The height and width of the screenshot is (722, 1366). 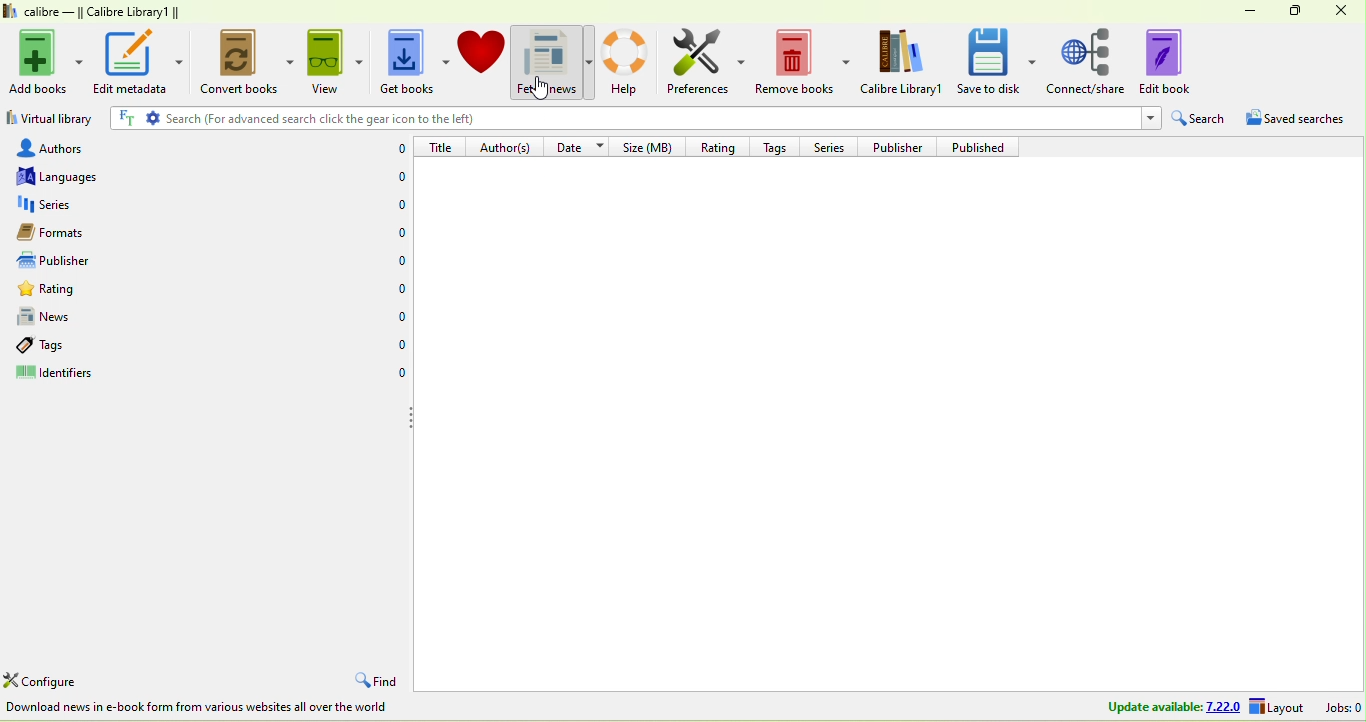 I want to click on maximize, so click(x=1300, y=12).